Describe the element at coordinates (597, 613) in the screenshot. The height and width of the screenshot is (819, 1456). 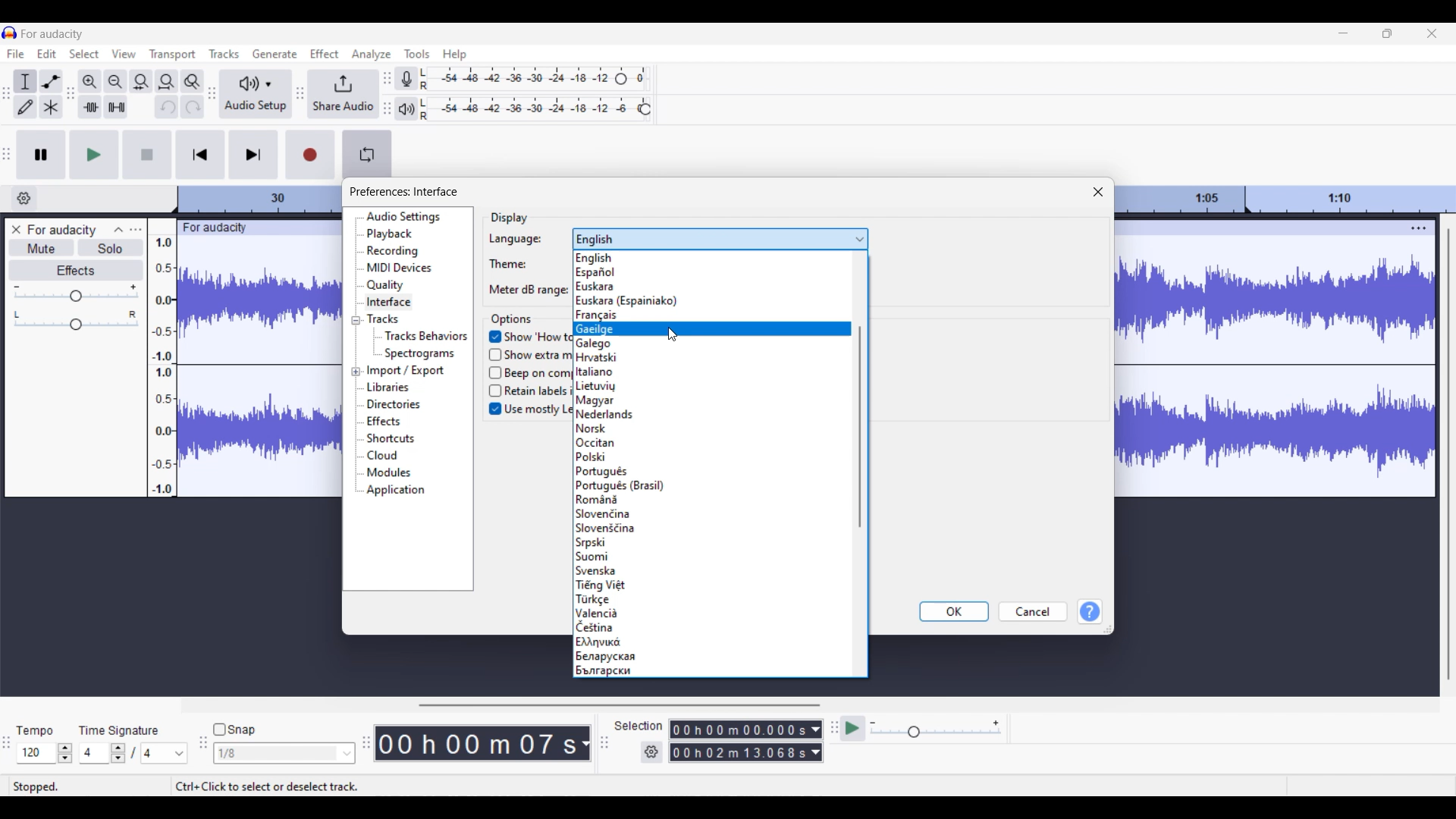
I see `Valencia` at that location.